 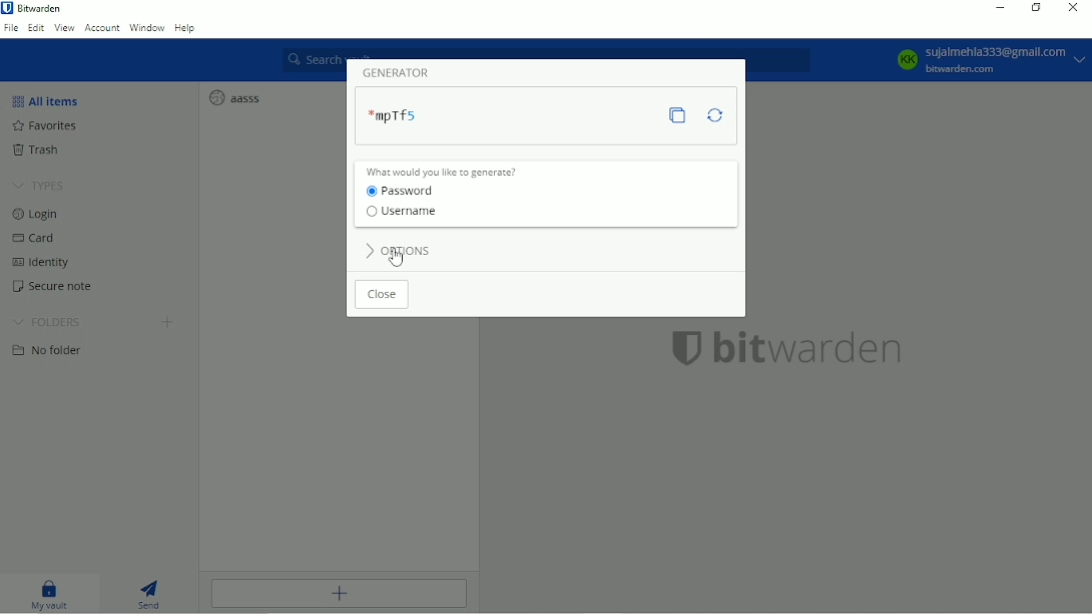 I want to click on bitwarden logo, so click(x=686, y=348).